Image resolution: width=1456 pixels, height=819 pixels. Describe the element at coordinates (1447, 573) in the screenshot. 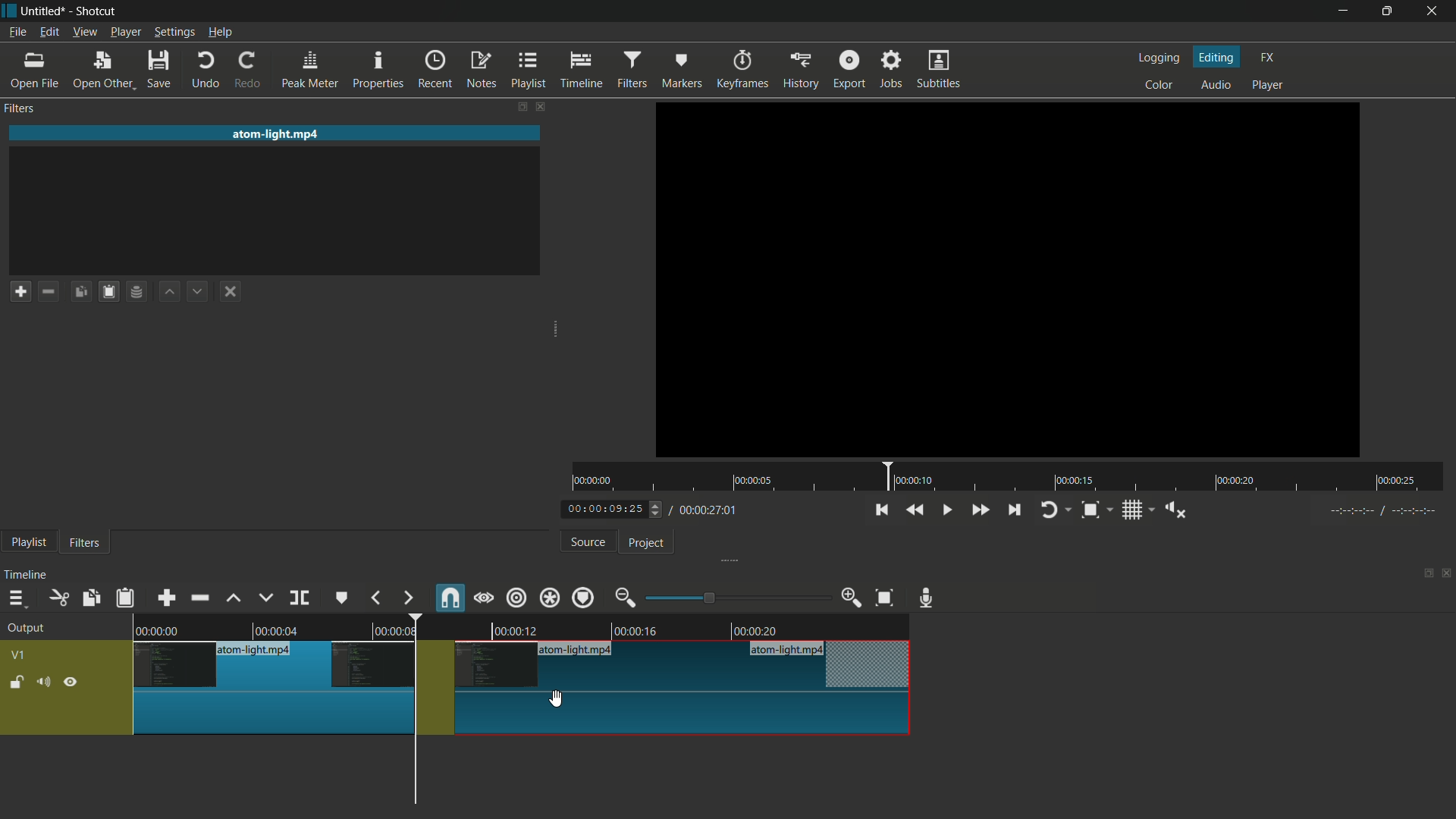

I see `close timeline` at that location.